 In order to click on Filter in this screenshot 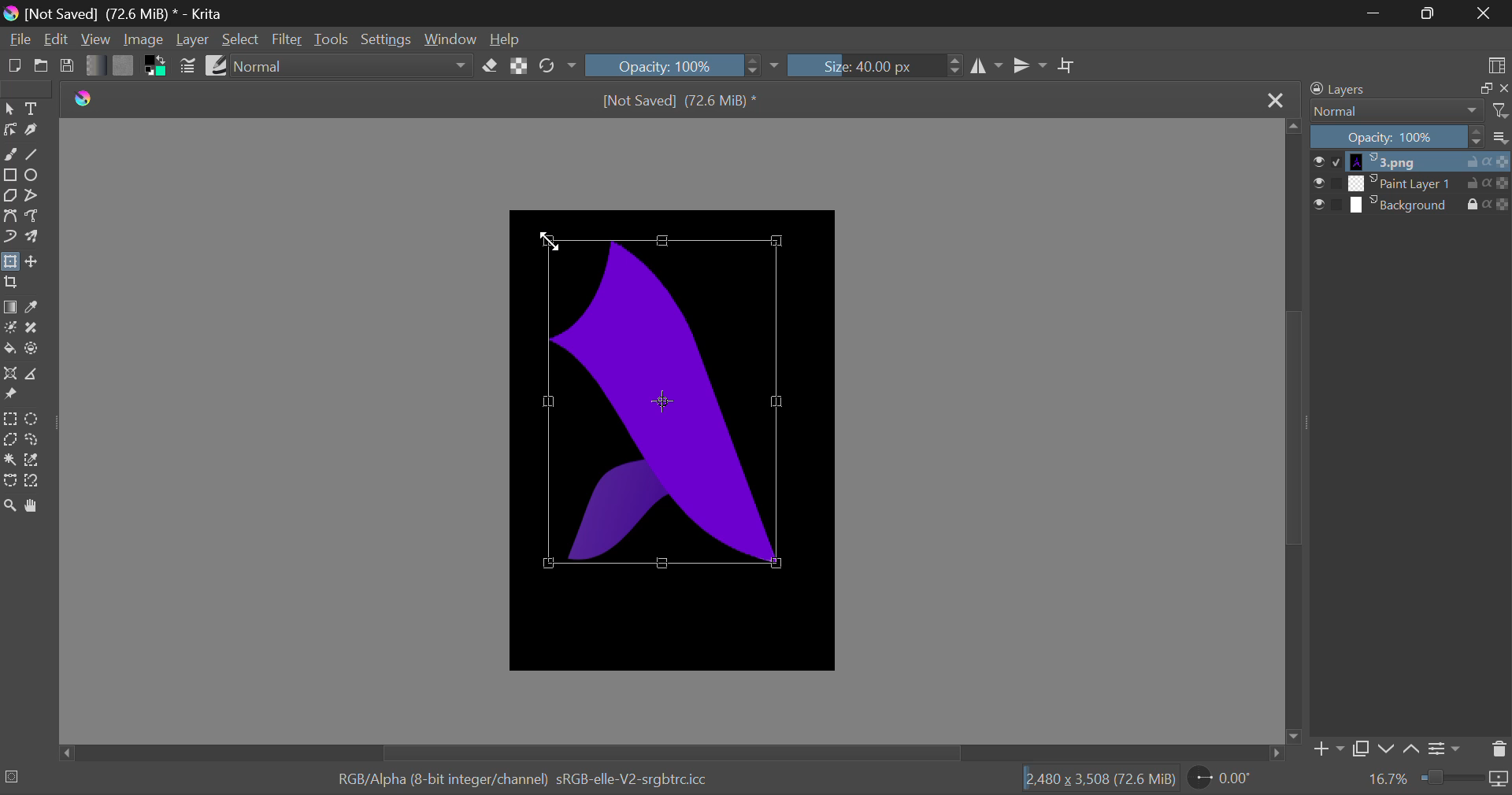, I will do `click(289, 39)`.